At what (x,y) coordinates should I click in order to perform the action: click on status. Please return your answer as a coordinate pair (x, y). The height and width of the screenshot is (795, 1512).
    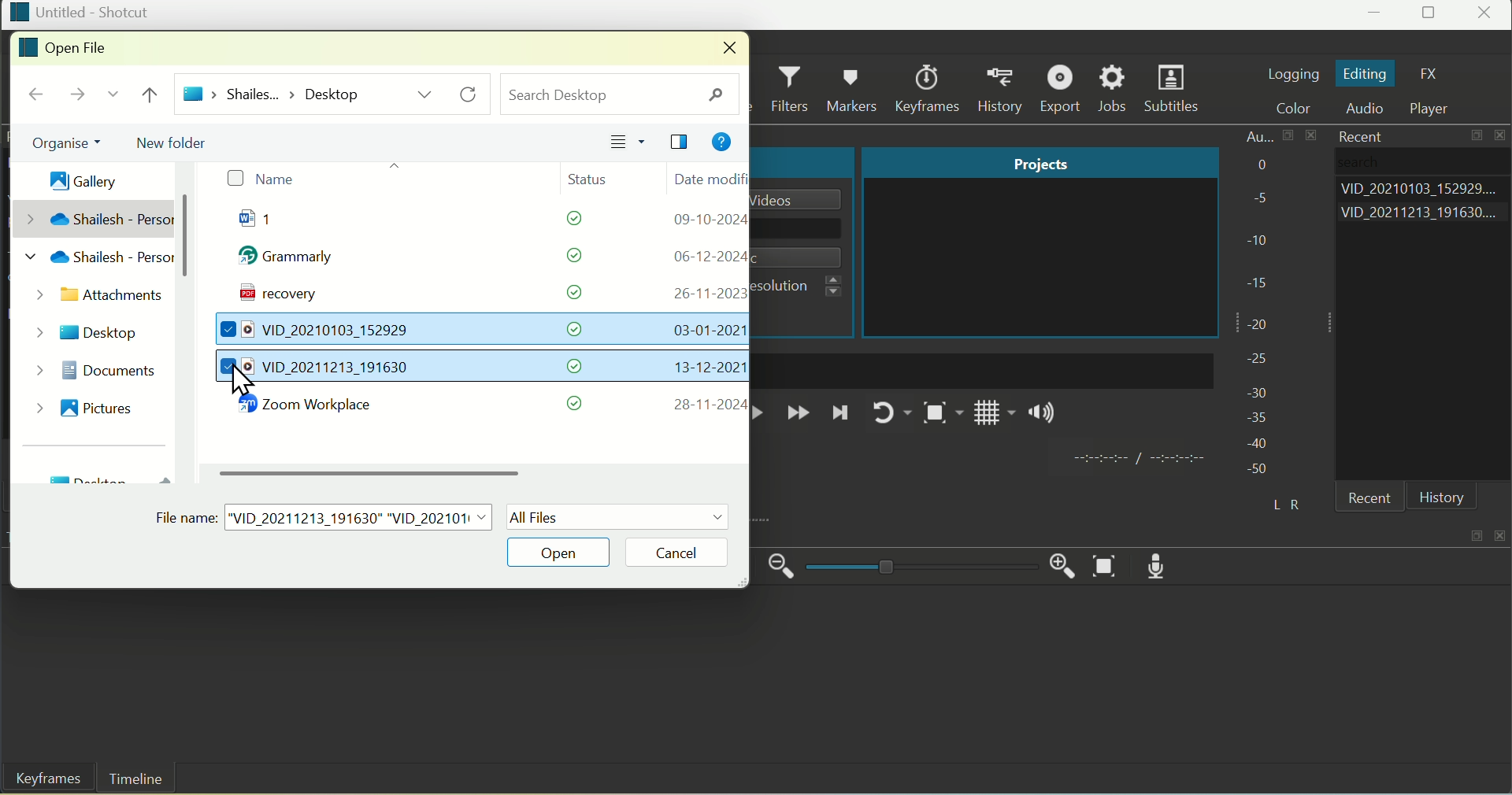
    Looking at the image, I should click on (576, 366).